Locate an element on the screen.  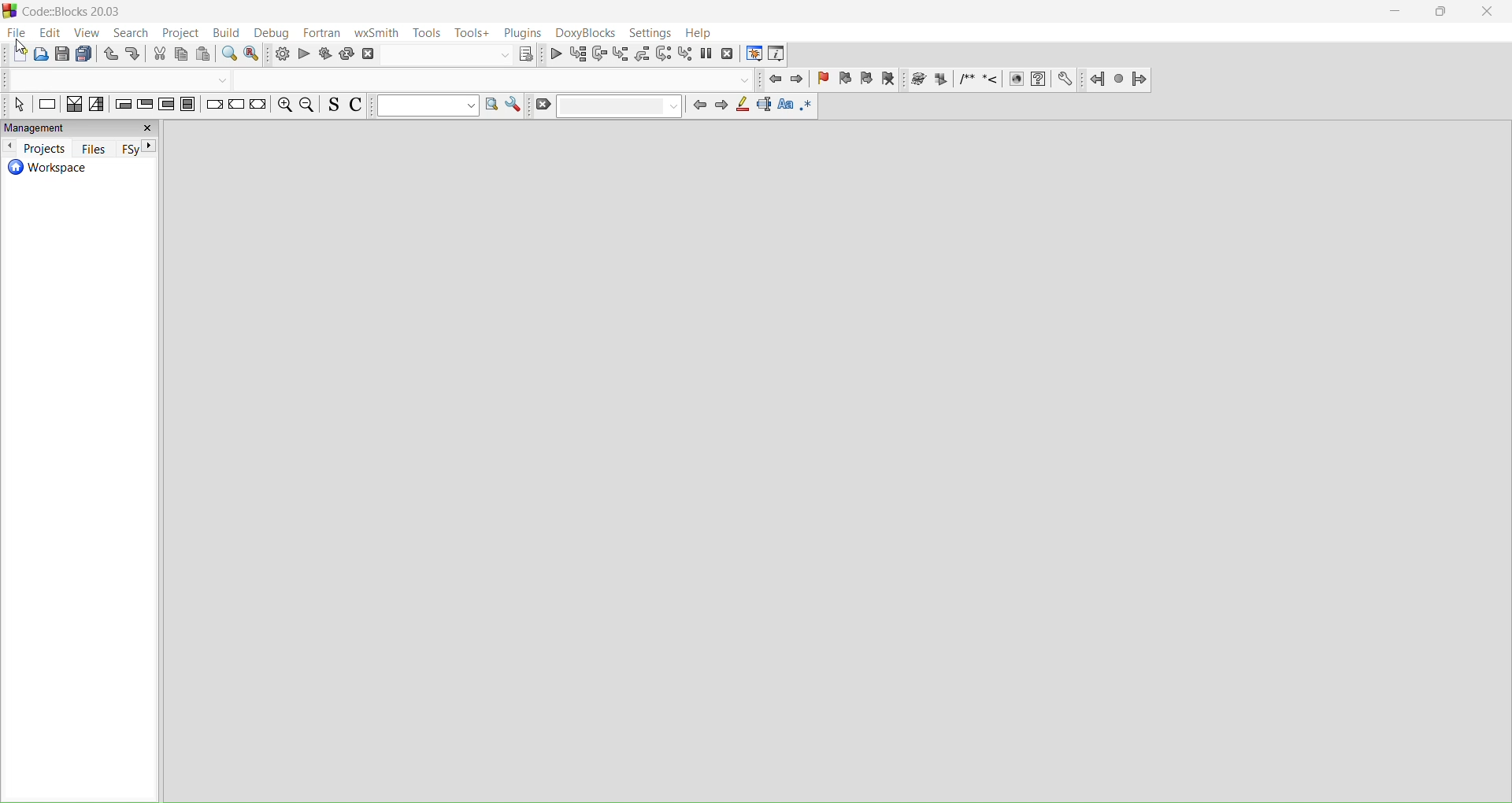
help is located at coordinates (701, 33).